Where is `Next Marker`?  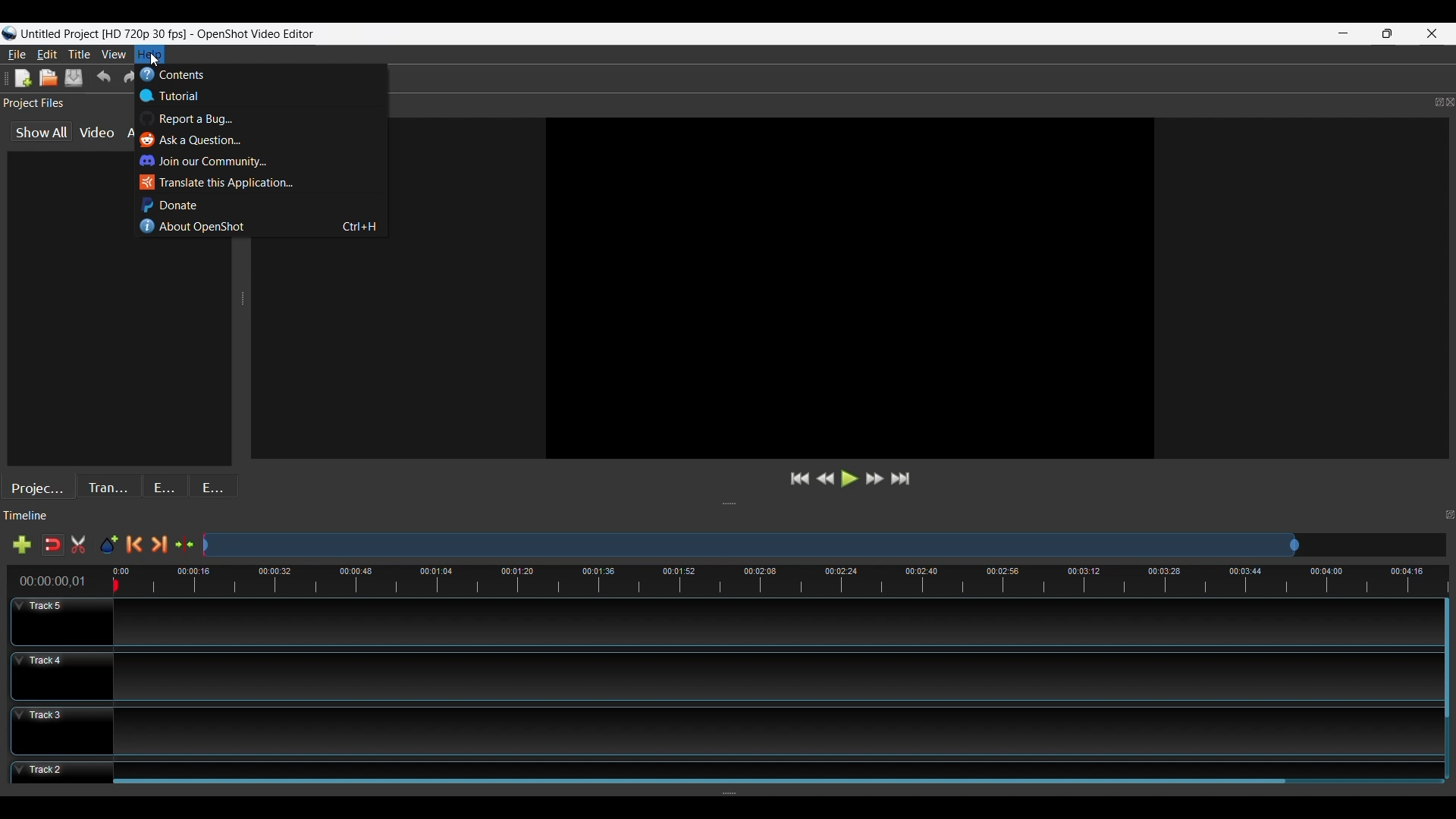
Next Marker is located at coordinates (158, 544).